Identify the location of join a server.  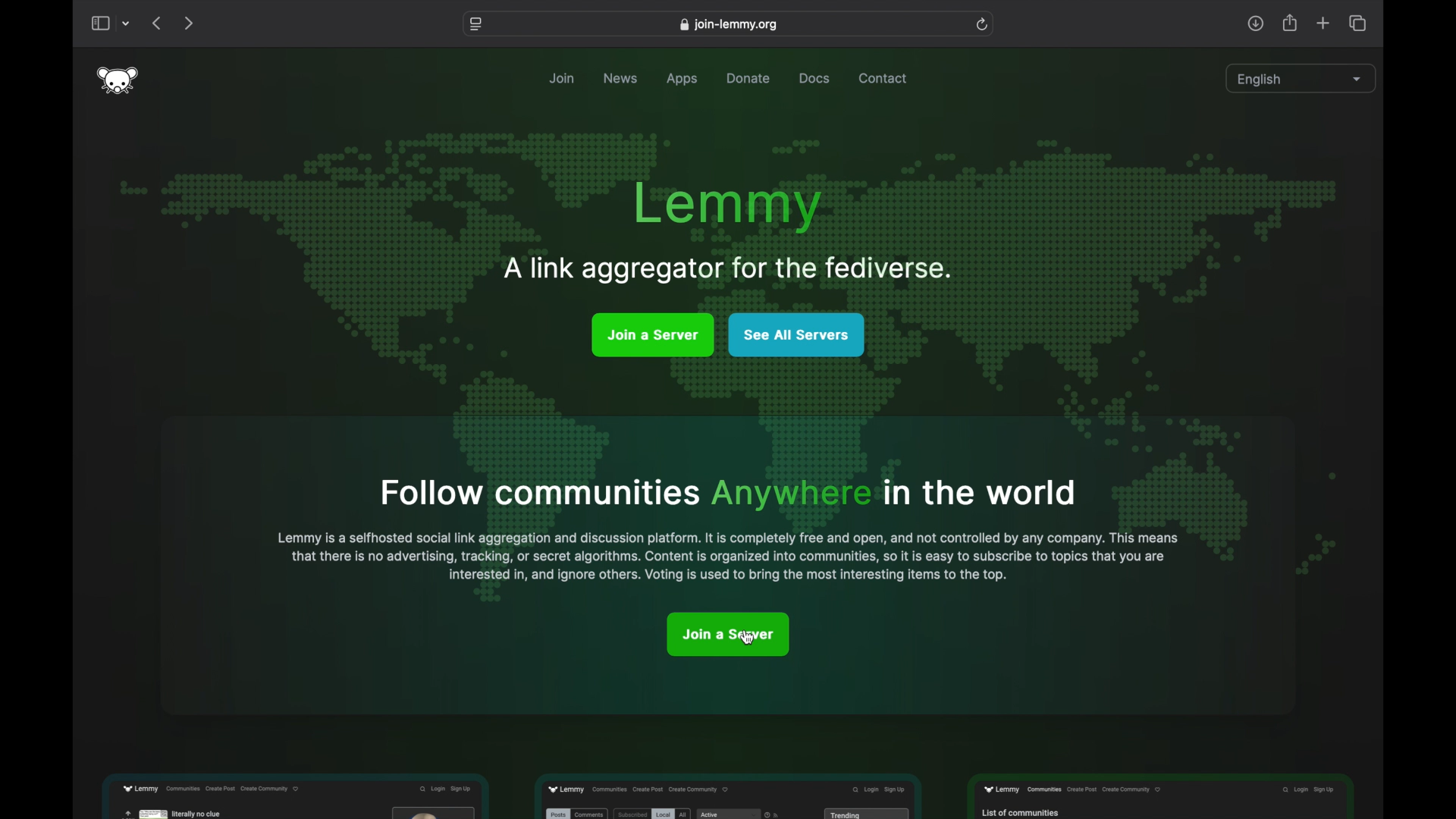
(728, 635).